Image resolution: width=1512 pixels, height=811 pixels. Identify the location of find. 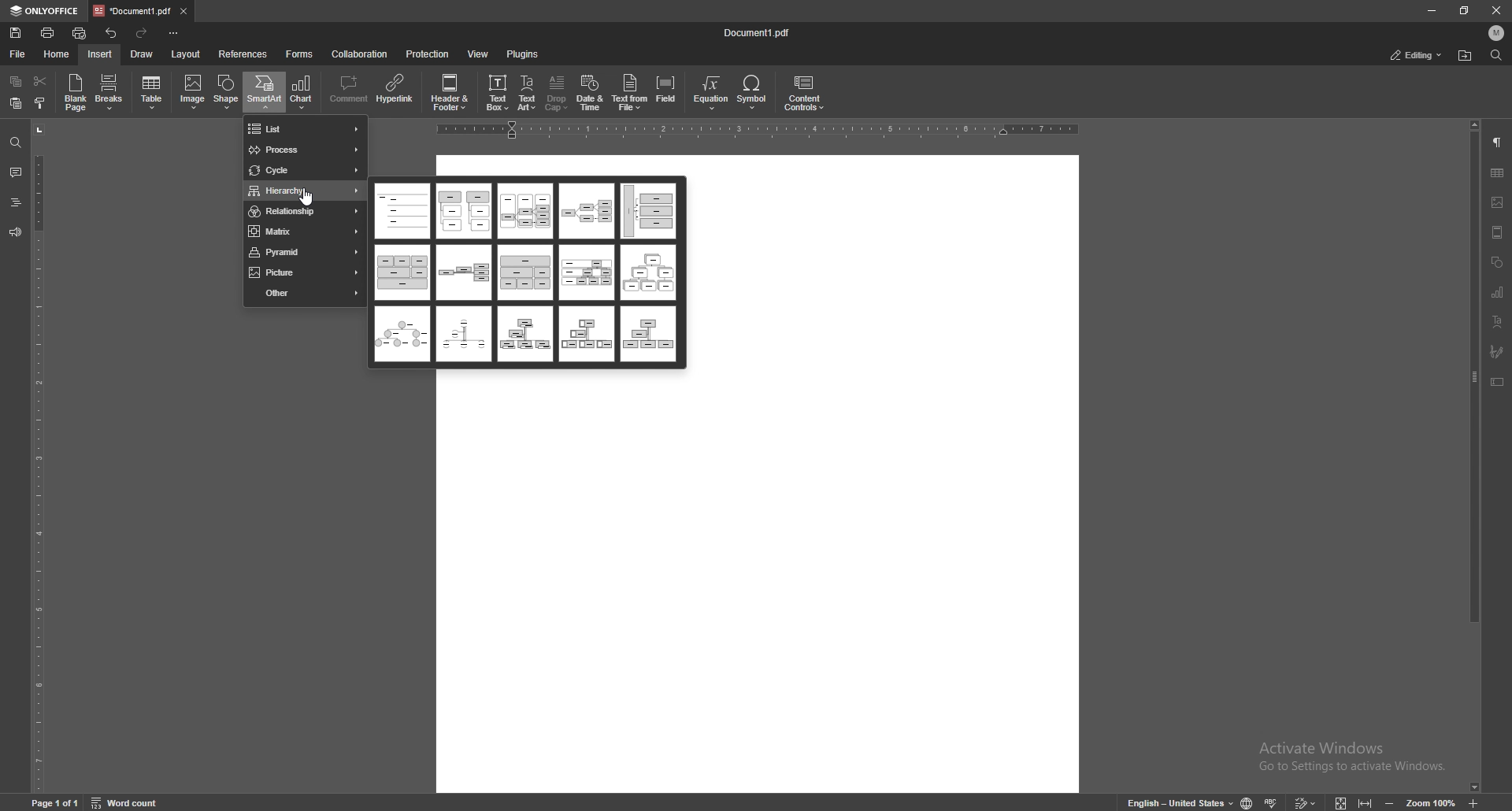
(16, 143).